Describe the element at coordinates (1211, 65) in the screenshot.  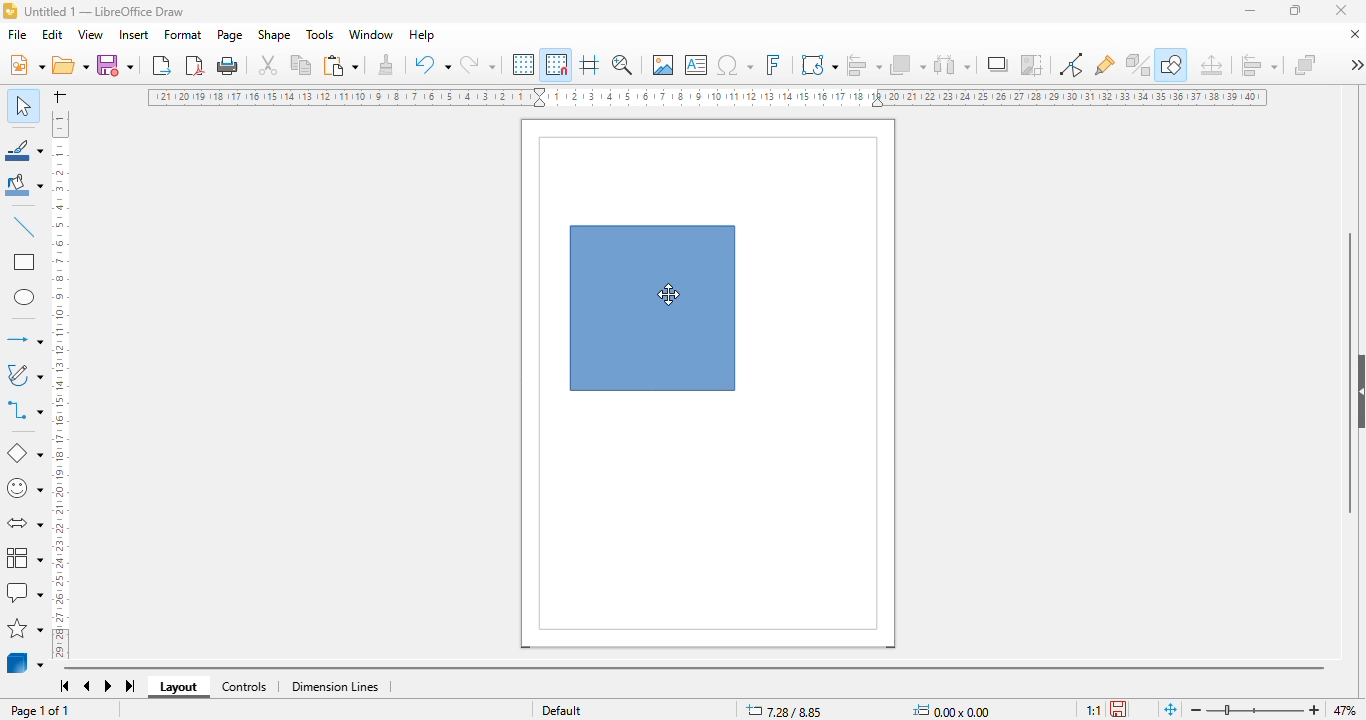
I see `position and size` at that location.